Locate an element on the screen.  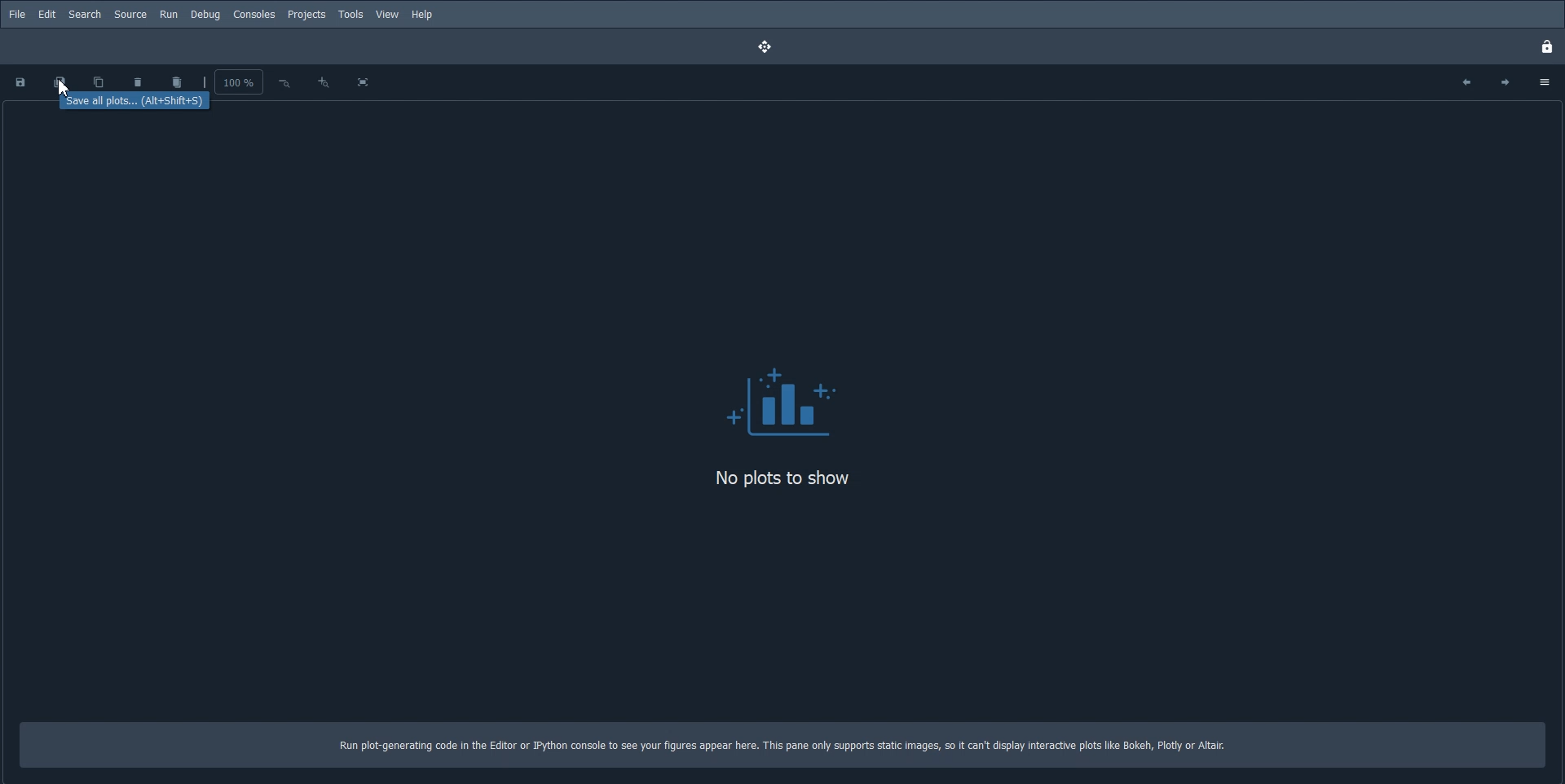
Save all plot is located at coordinates (63, 80).